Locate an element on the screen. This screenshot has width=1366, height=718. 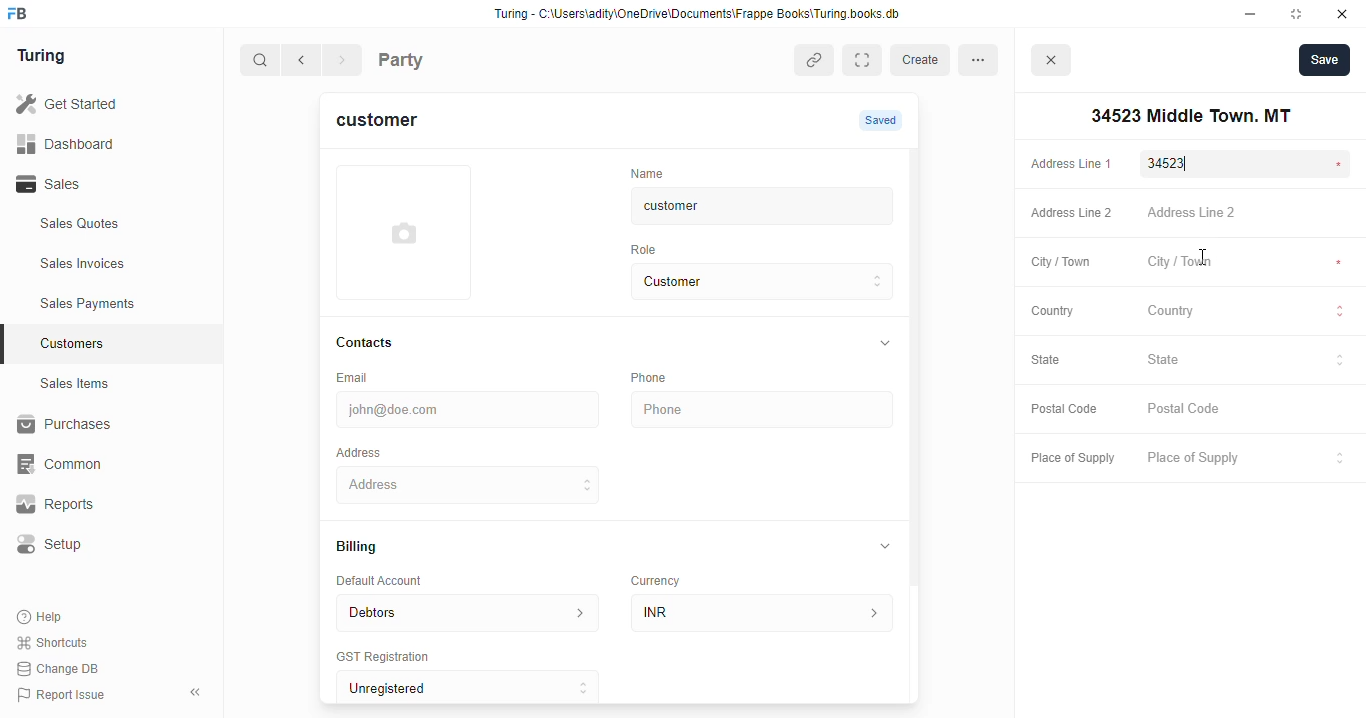
Address Line 2 is located at coordinates (1248, 214).